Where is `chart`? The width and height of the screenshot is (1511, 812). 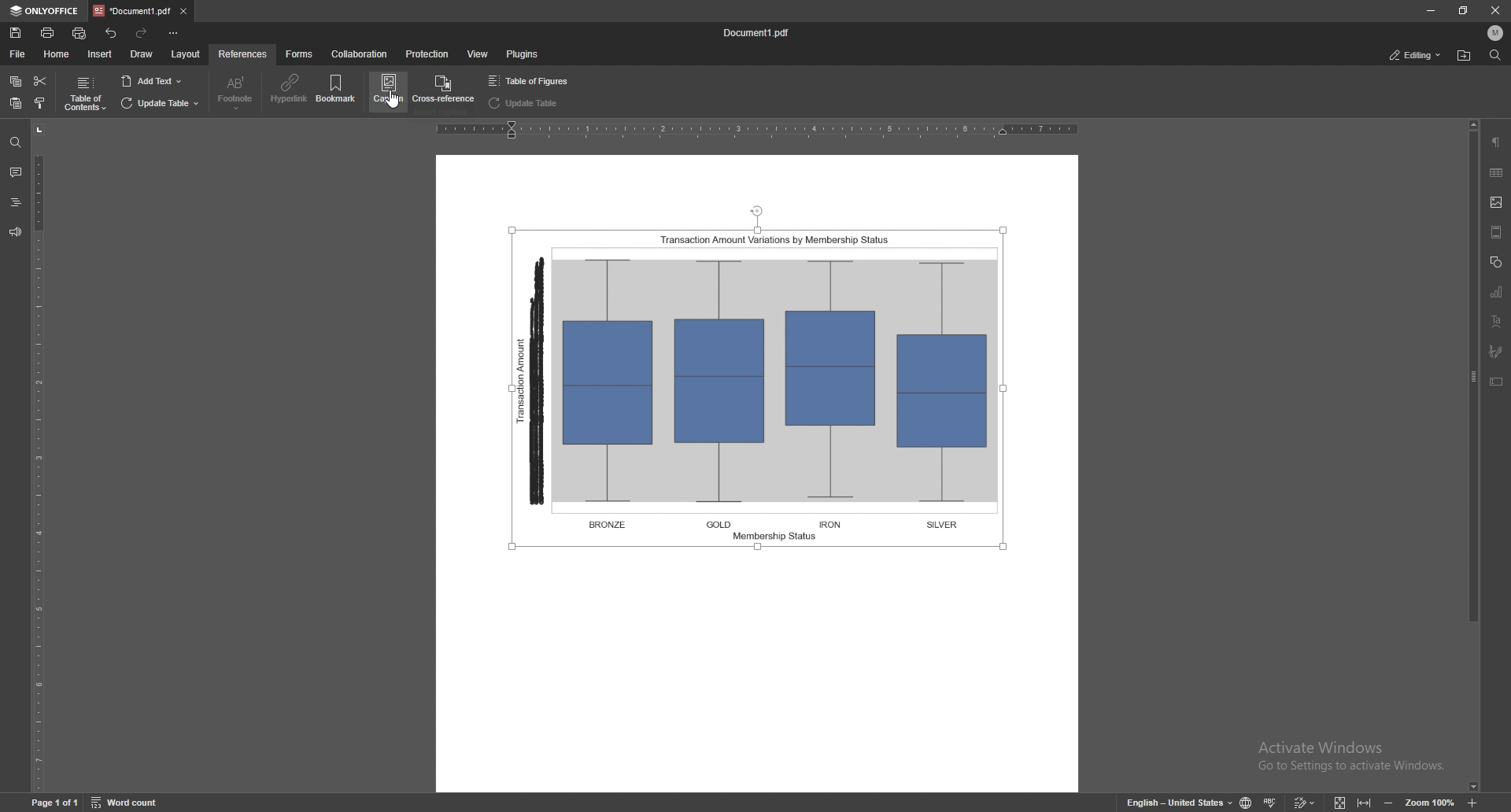 chart is located at coordinates (1498, 291).